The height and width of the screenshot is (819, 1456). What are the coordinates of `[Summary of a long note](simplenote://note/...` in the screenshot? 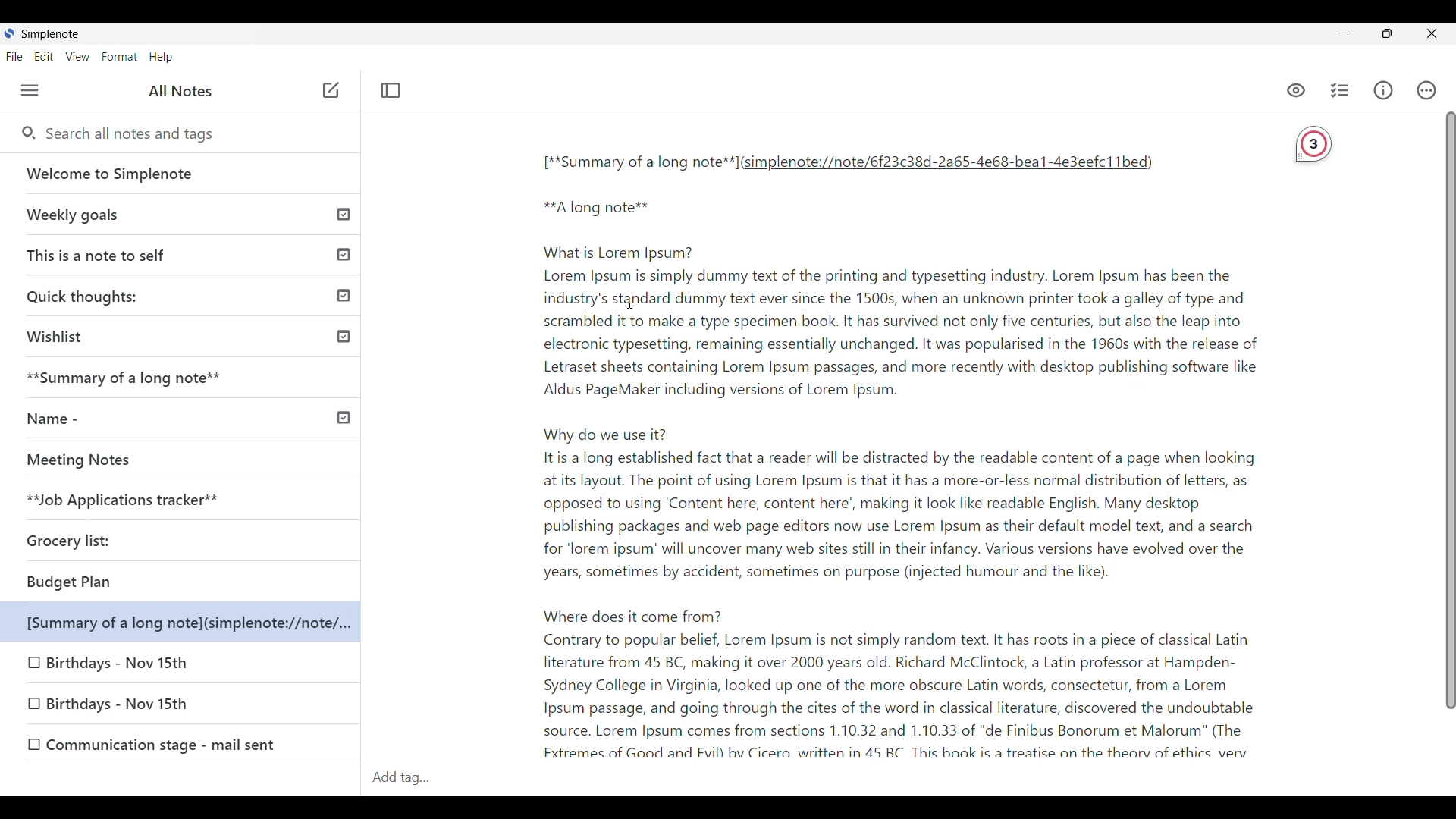 It's located at (187, 623).